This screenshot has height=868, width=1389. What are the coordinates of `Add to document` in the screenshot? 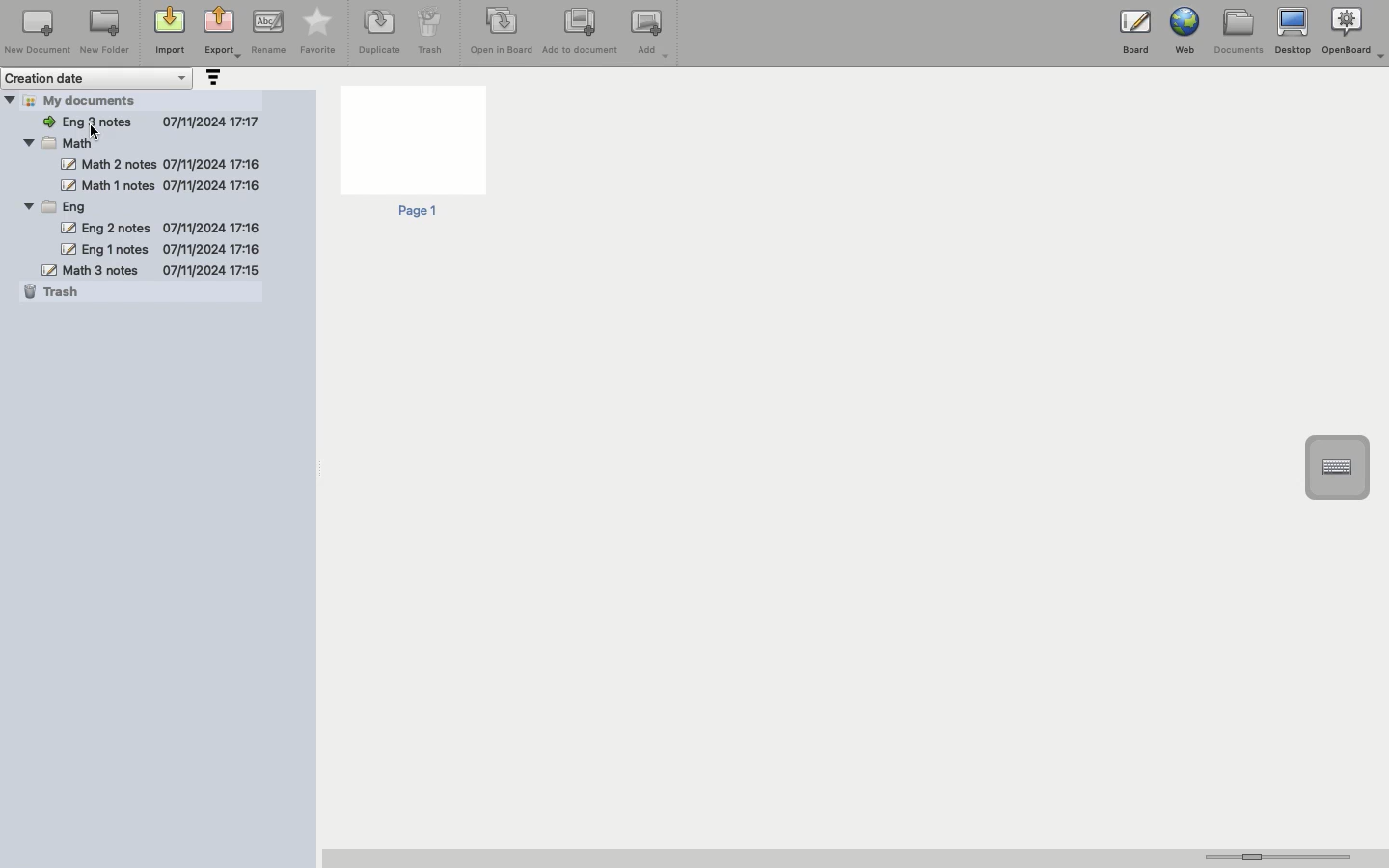 It's located at (582, 33).